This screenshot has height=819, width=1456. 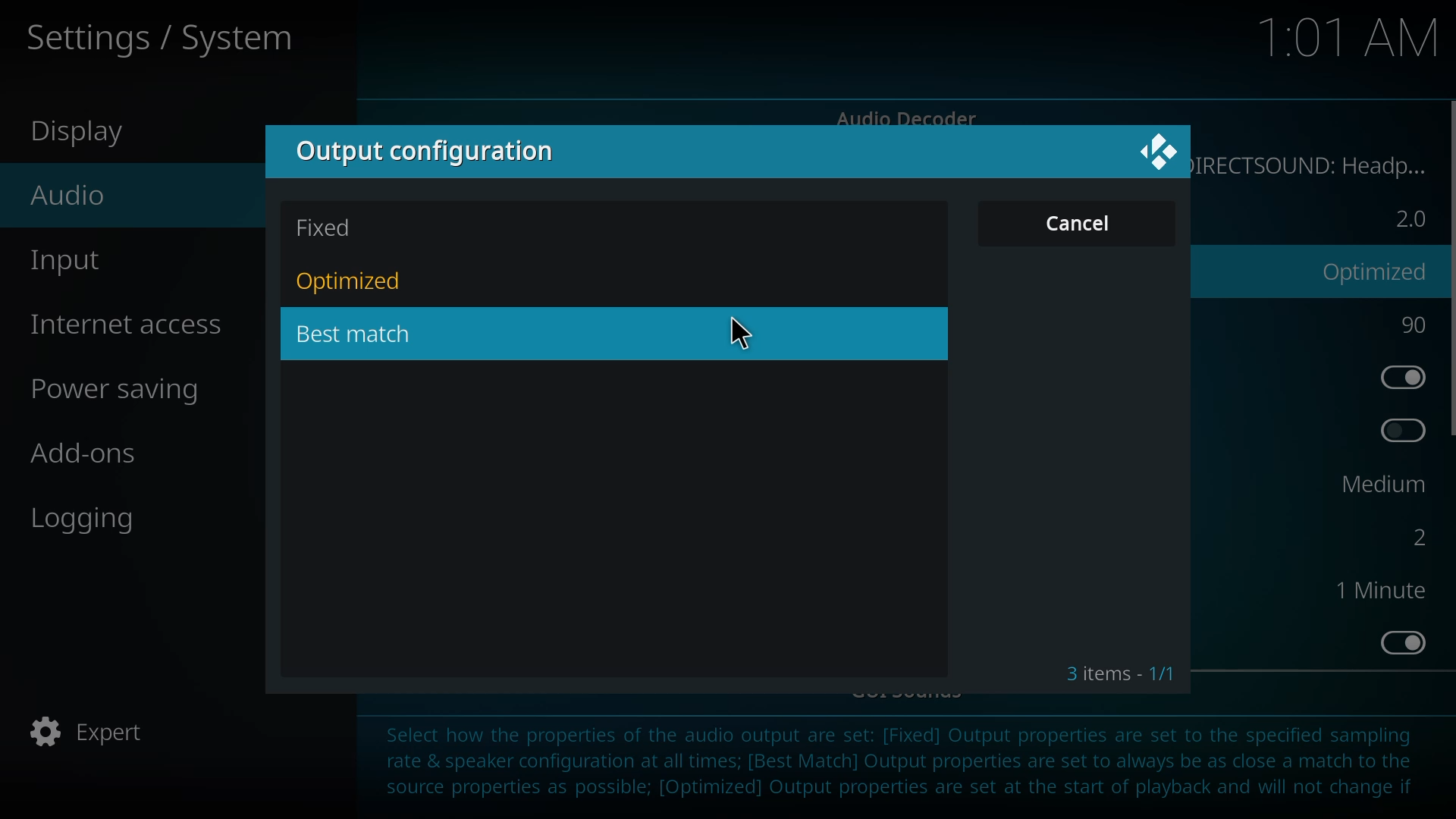 What do you see at coordinates (1397, 431) in the screenshot?
I see `enable` at bounding box center [1397, 431].